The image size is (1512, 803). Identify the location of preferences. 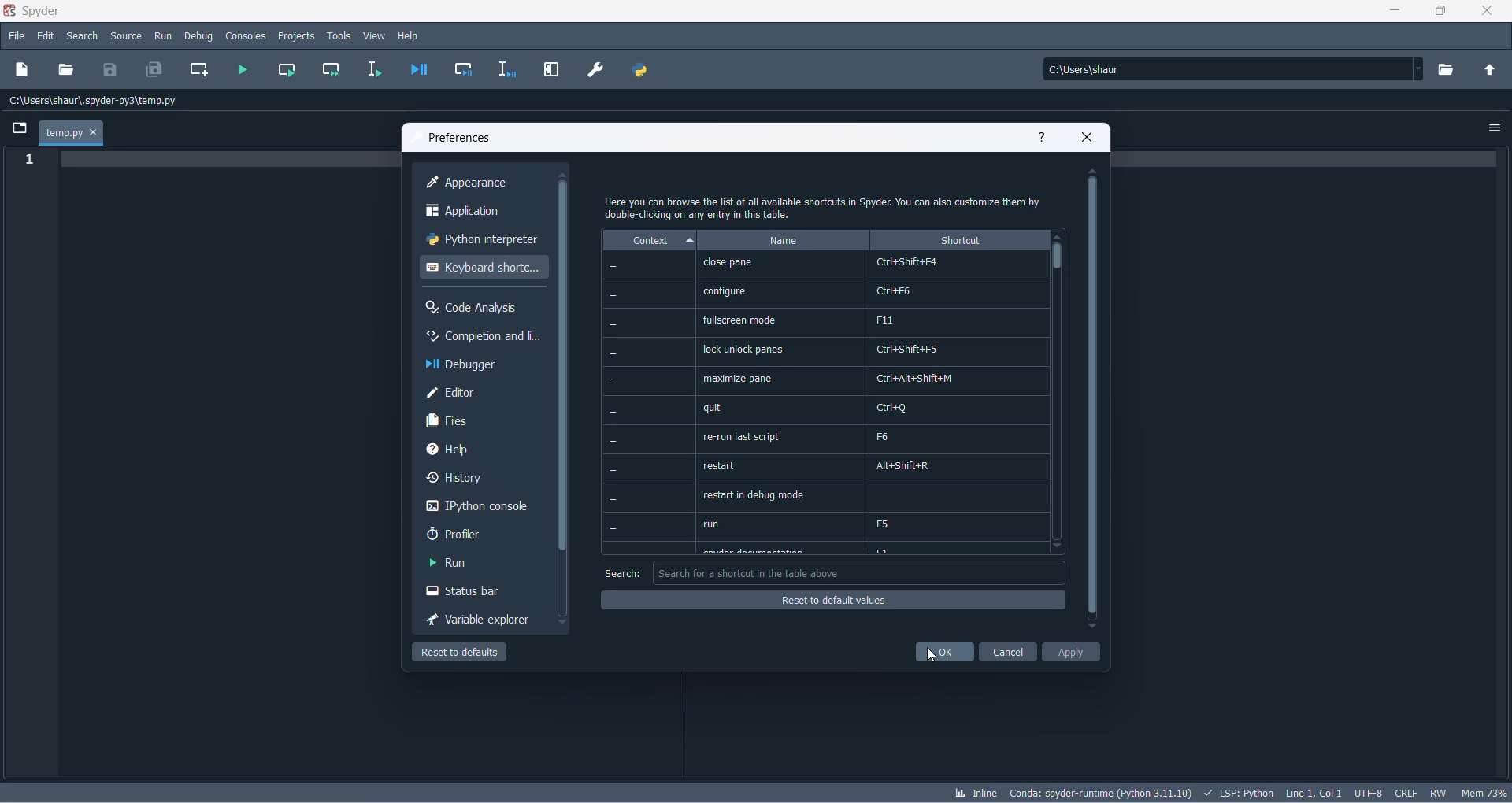
(597, 69).